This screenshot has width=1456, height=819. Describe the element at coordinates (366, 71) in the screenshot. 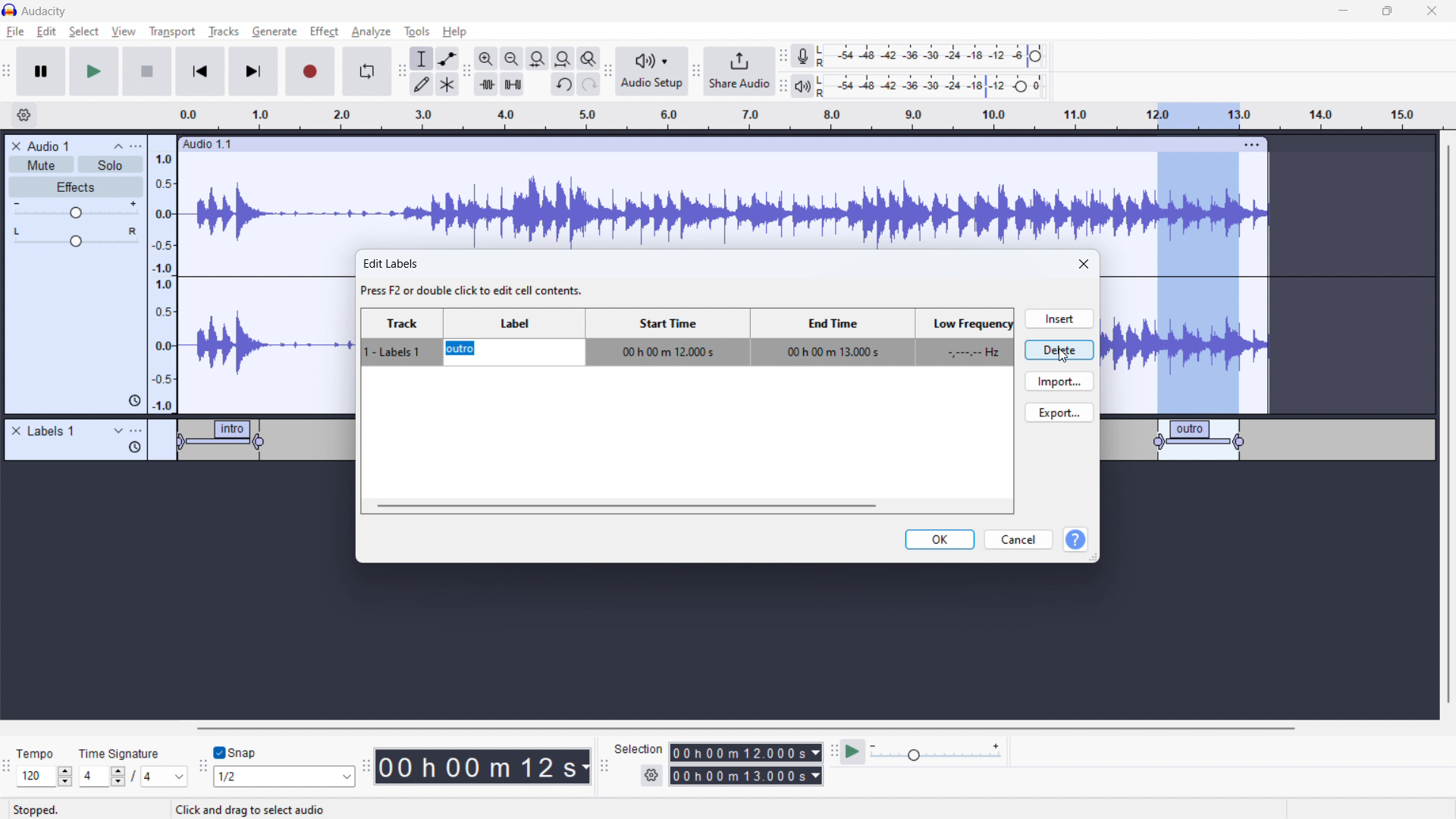

I see `enable loop` at that location.